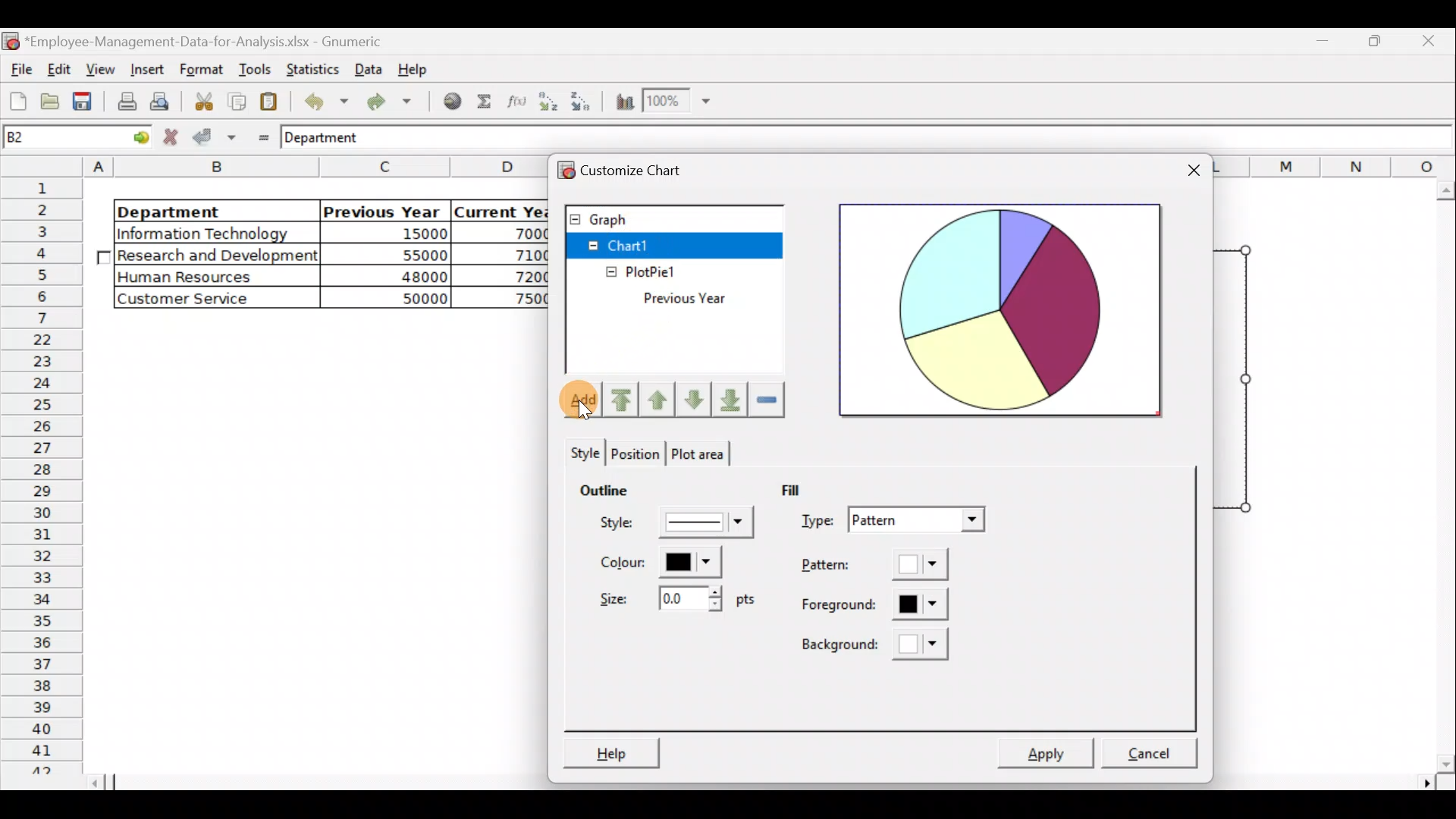 The width and height of the screenshot is (1456, 819). I want to click on Foreground, so click(866, 607).